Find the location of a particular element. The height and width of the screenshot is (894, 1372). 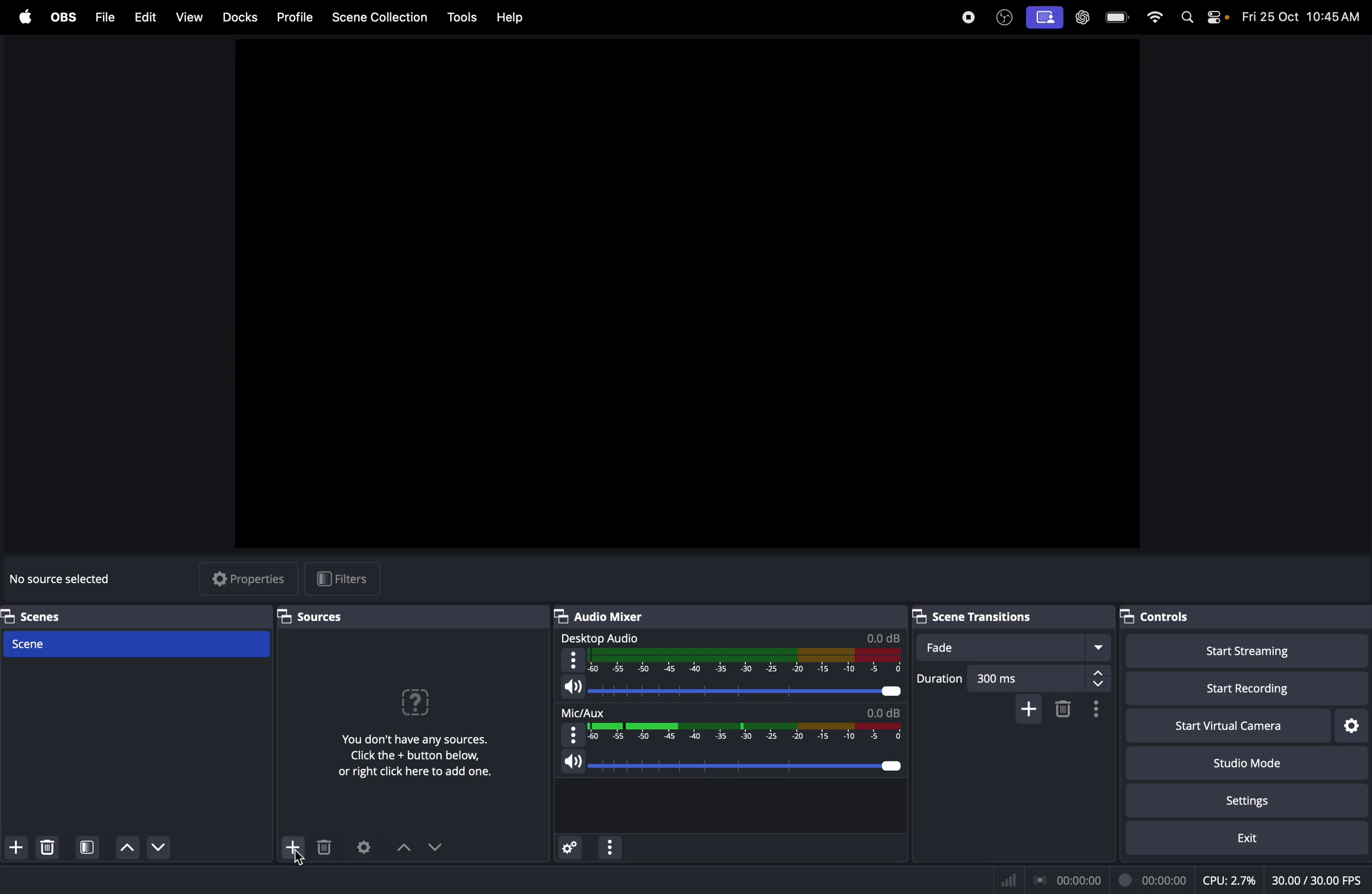

apple menu is located at coordinates (25, 17).